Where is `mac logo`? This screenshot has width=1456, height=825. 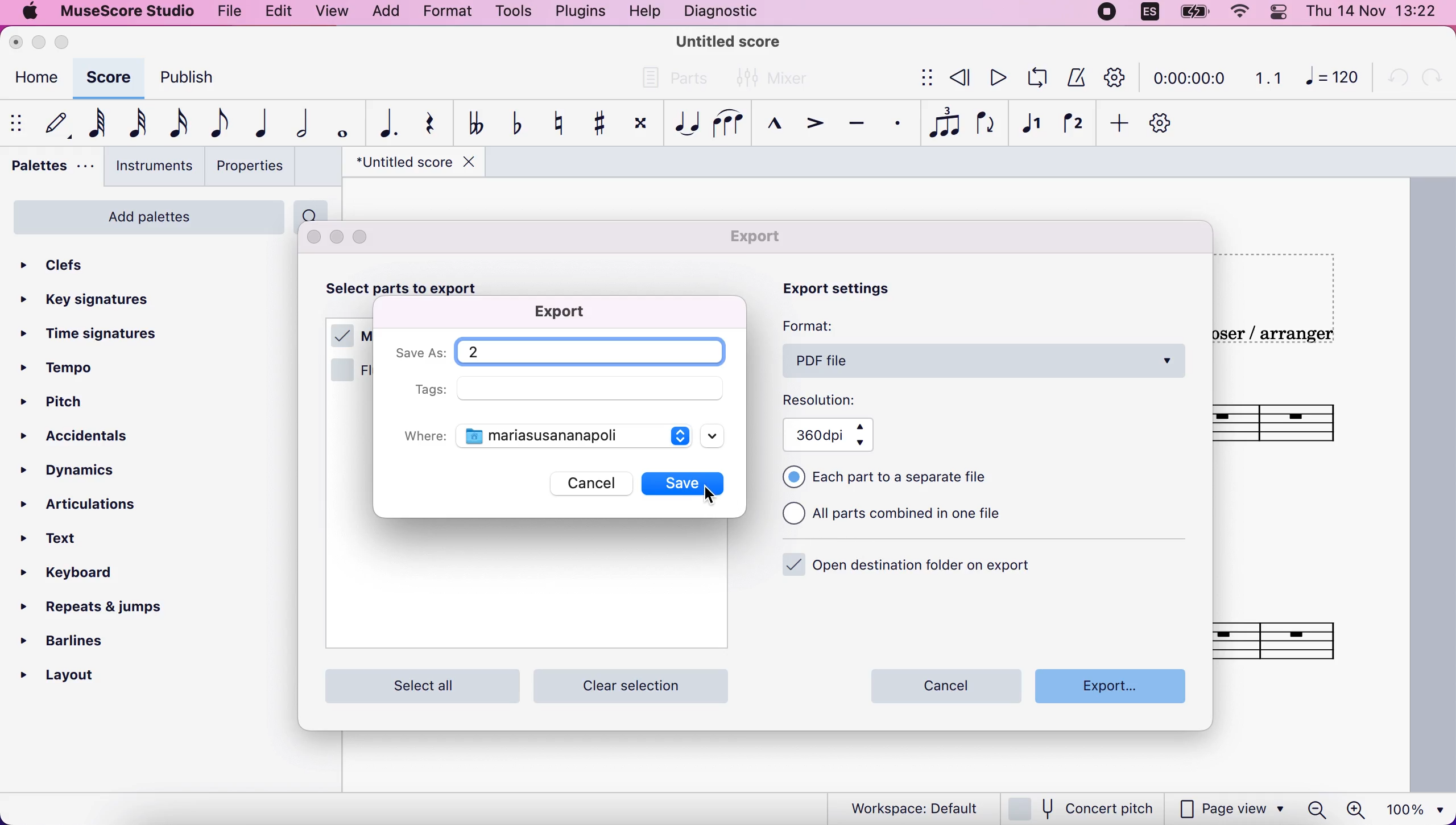 mac logo is located at coordinates (29, 13).